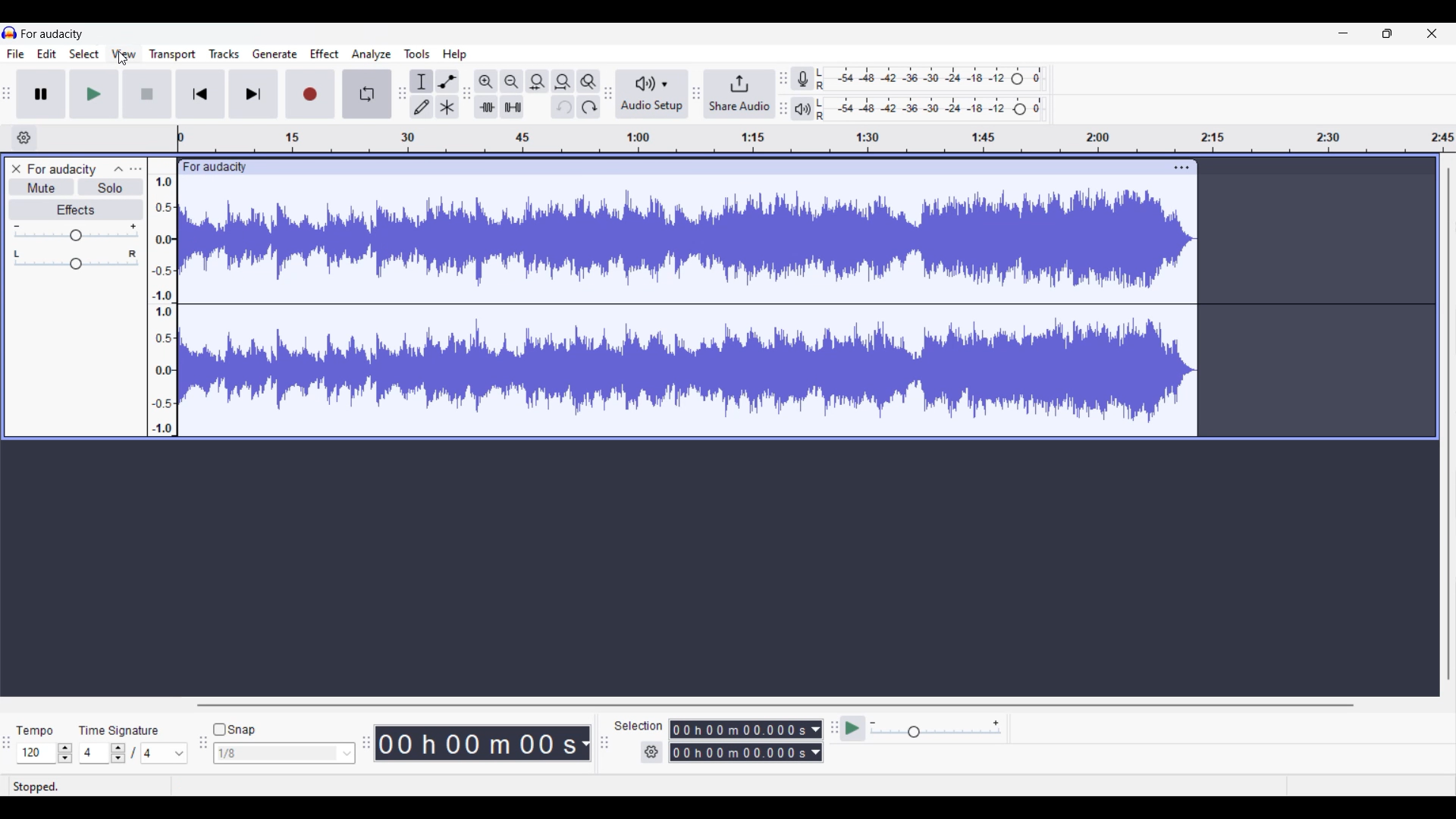  What do you see at coordinates (563, 81) in the screenshot?
I see `Fit projection to width` at bounding box center [563, 81].